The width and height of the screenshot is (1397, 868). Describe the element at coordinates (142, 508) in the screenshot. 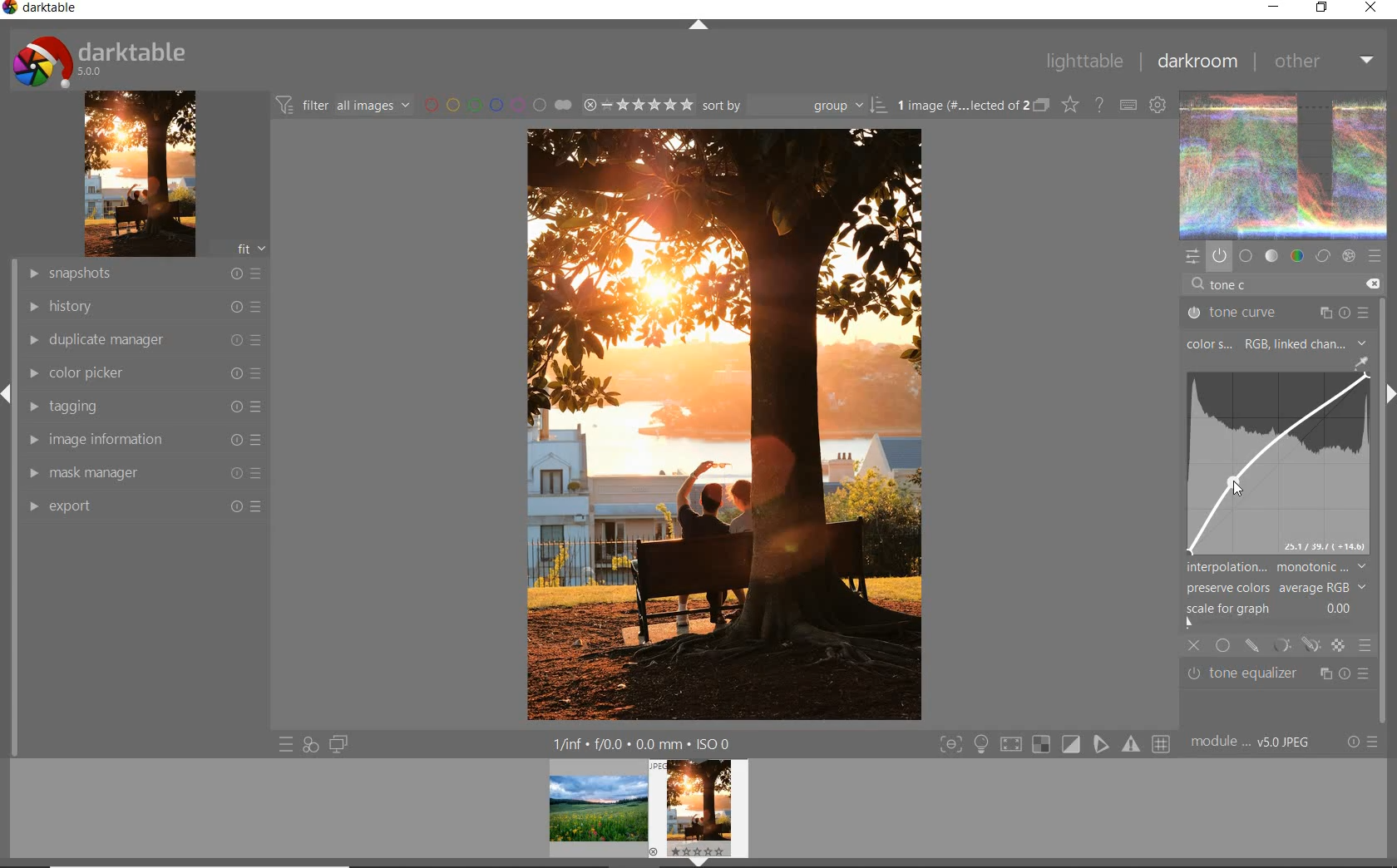

I see `export` at that location.